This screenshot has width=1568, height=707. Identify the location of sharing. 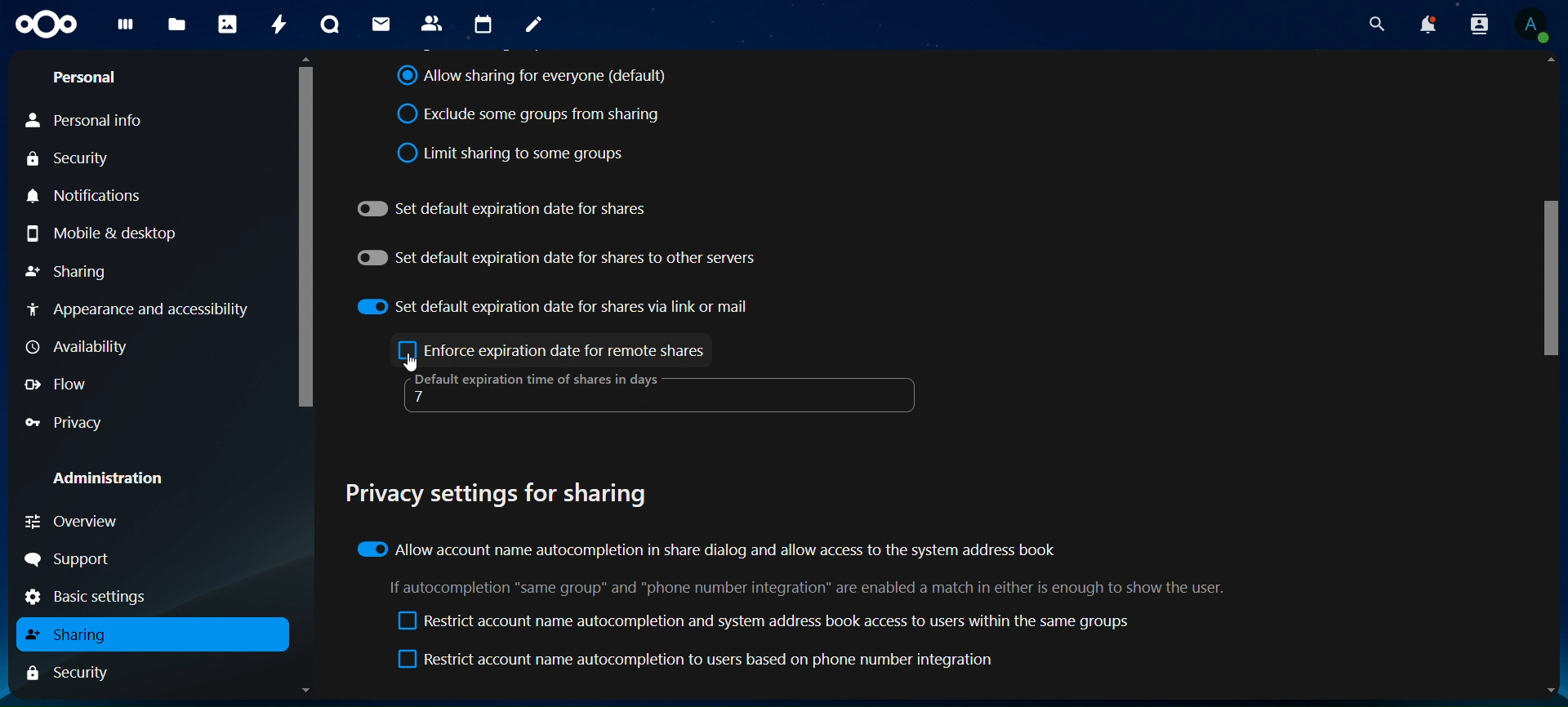
(69, 269).